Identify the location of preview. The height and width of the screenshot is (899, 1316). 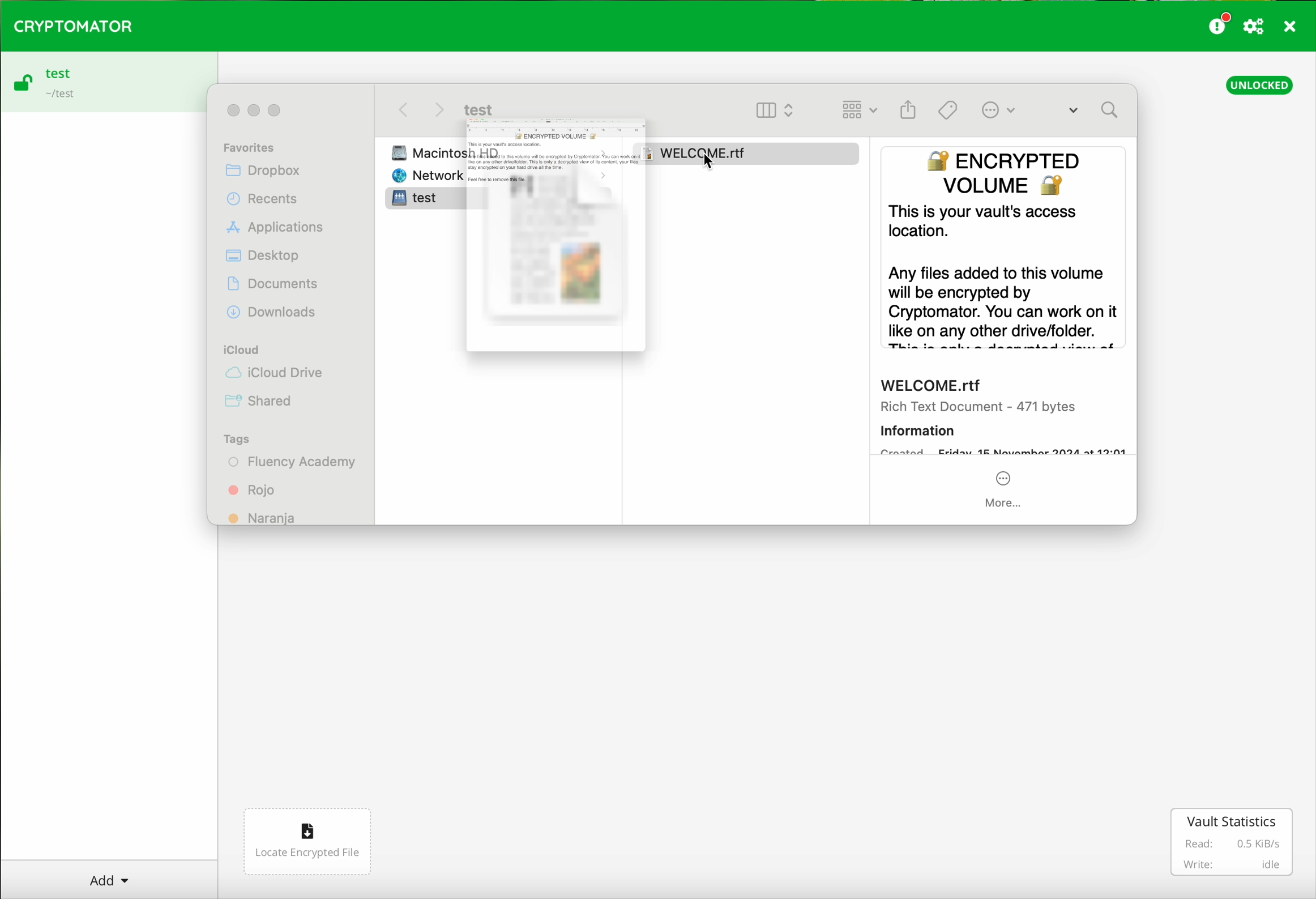
(1006, 332).